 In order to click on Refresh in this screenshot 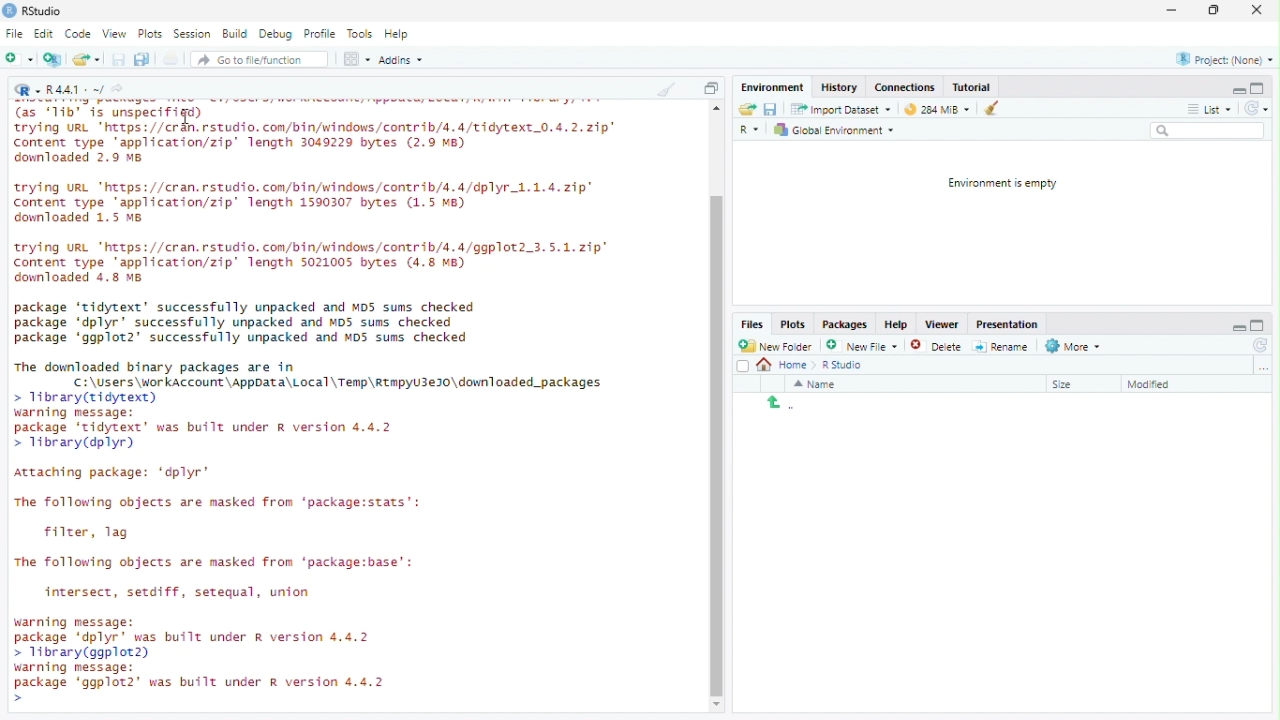, I will do `click(1258, 345)`.